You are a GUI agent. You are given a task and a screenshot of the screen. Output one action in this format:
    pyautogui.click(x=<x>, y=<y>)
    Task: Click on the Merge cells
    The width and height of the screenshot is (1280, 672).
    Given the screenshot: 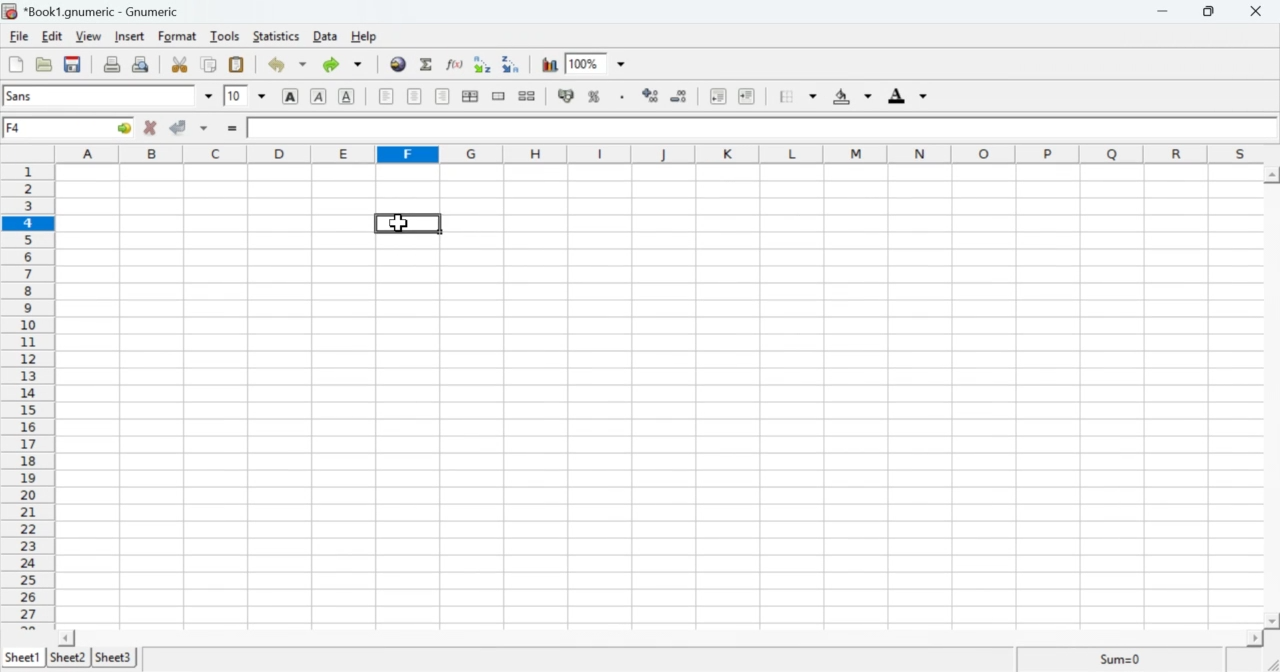 What is the action you would take?
    pyautogui.click(x=499, y=97)
    